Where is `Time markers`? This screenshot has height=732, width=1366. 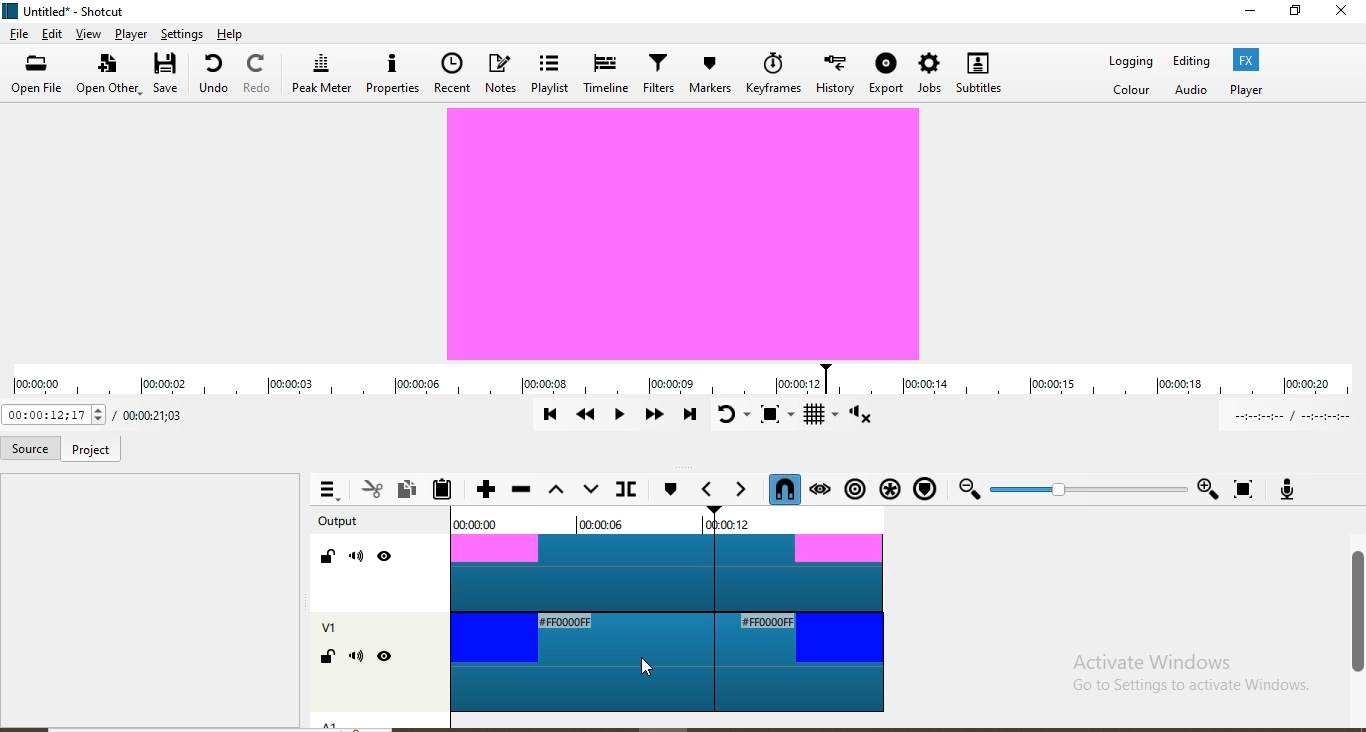 Time markers is located at coordinates (668, 523).